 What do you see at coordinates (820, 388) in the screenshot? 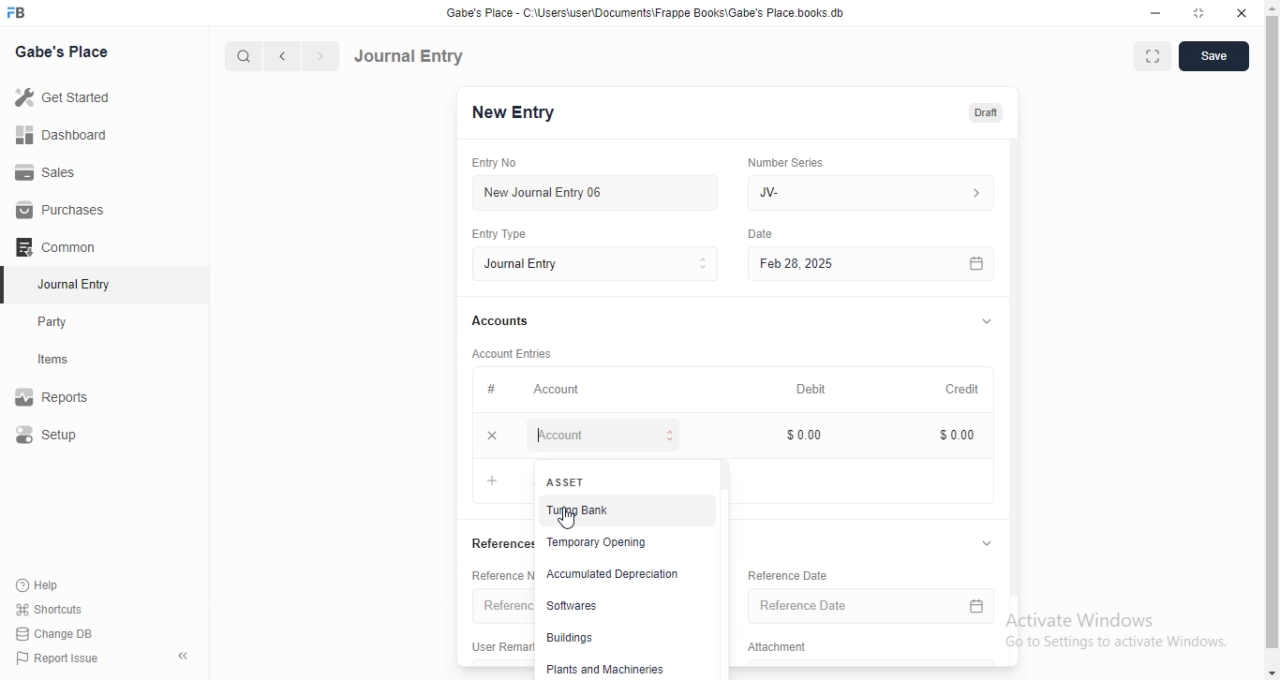
I see `Debit` at bounding box center [820, 388].